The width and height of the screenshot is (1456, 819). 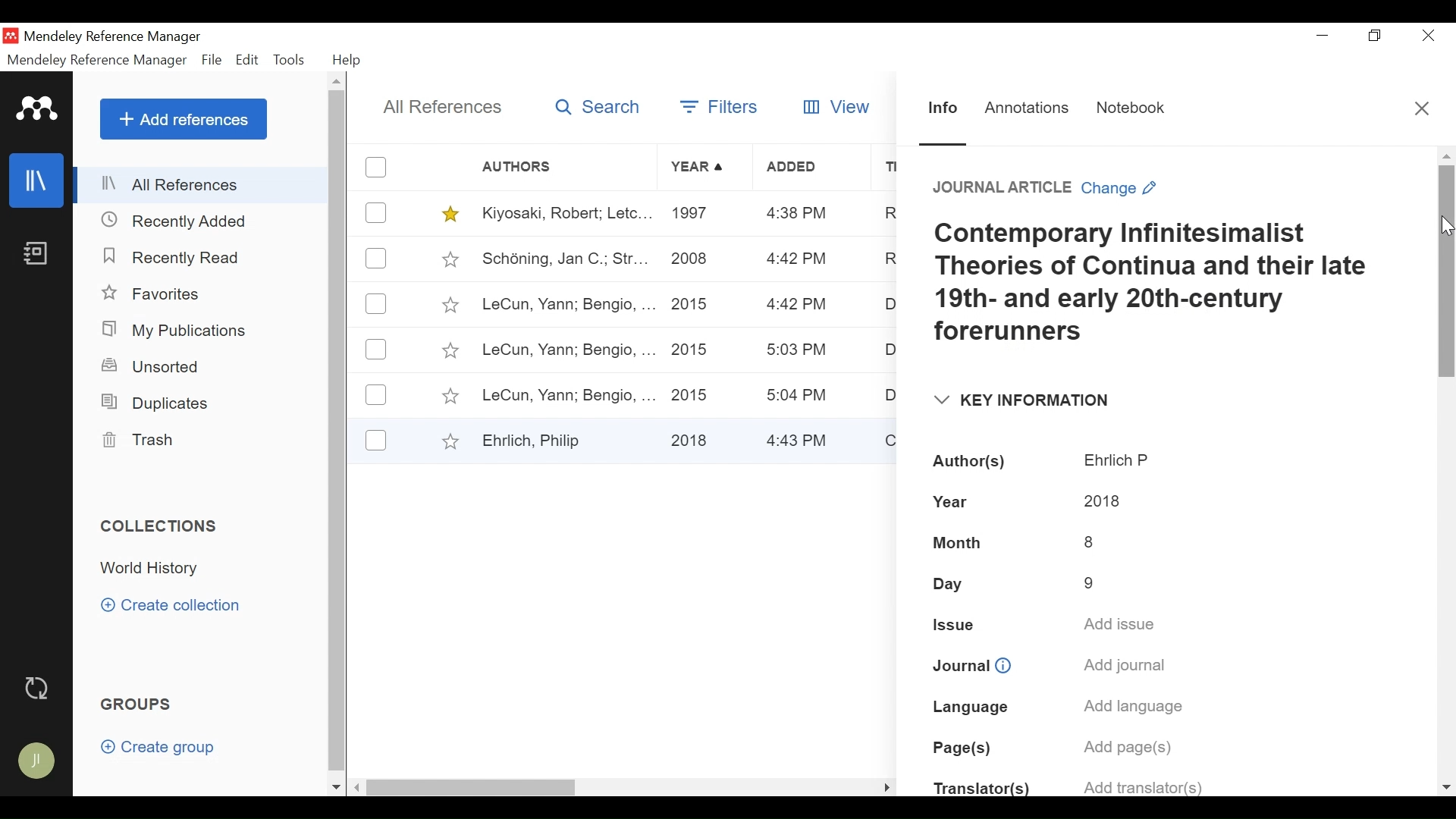 I want to click on Schéning, Jan C.; Str..., so click(x=563, y=259).